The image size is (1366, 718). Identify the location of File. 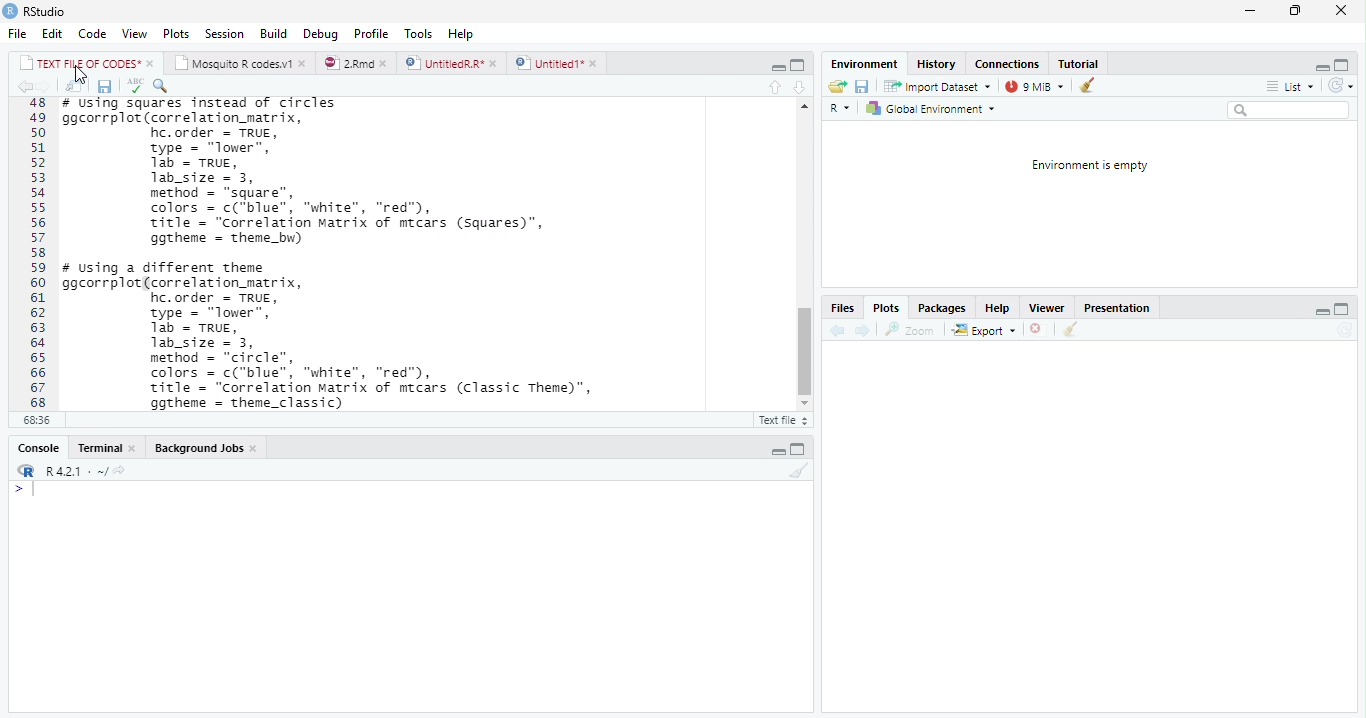
(15, 35).